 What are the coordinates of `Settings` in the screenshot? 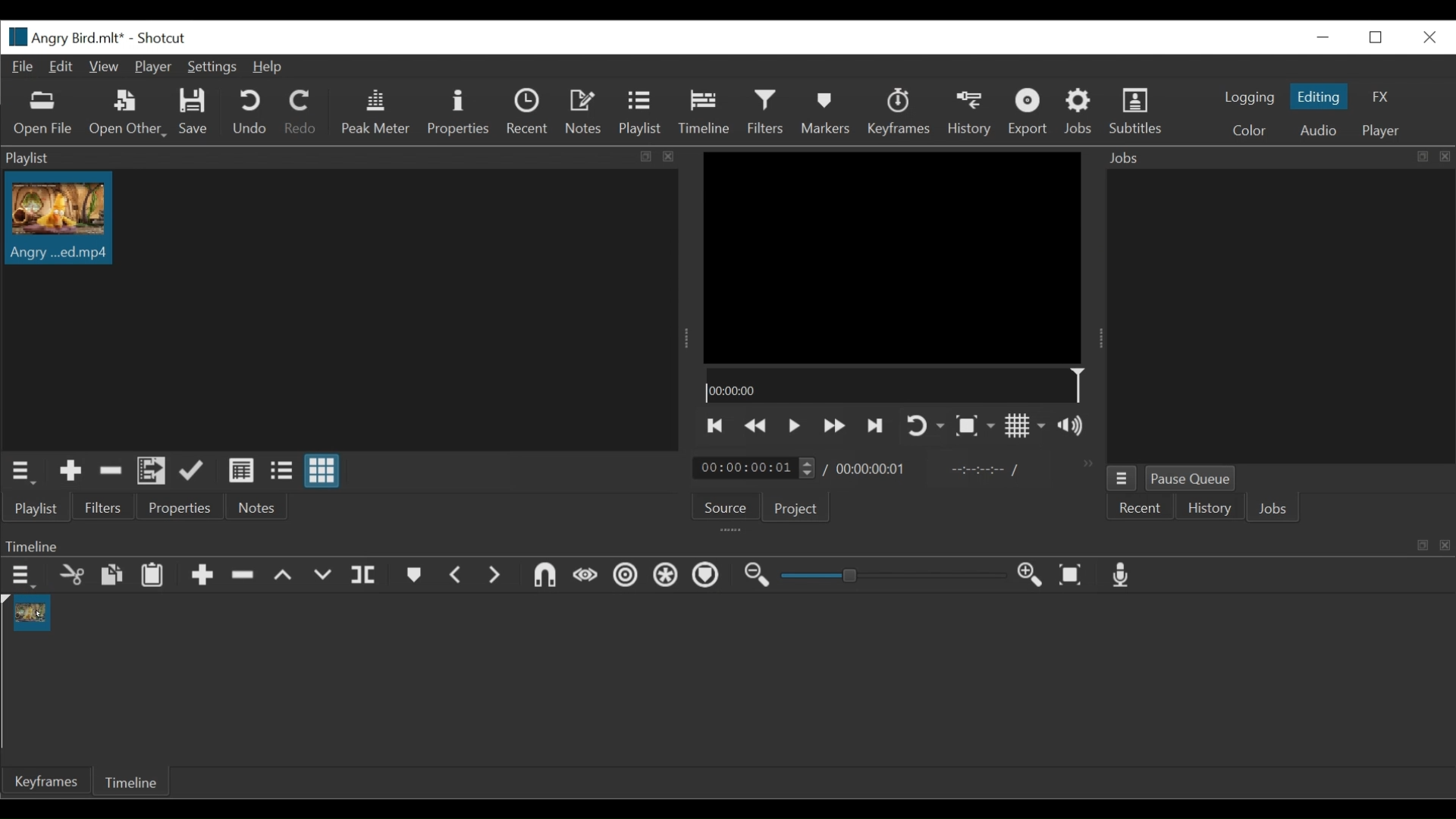 It's located at (212, 67).